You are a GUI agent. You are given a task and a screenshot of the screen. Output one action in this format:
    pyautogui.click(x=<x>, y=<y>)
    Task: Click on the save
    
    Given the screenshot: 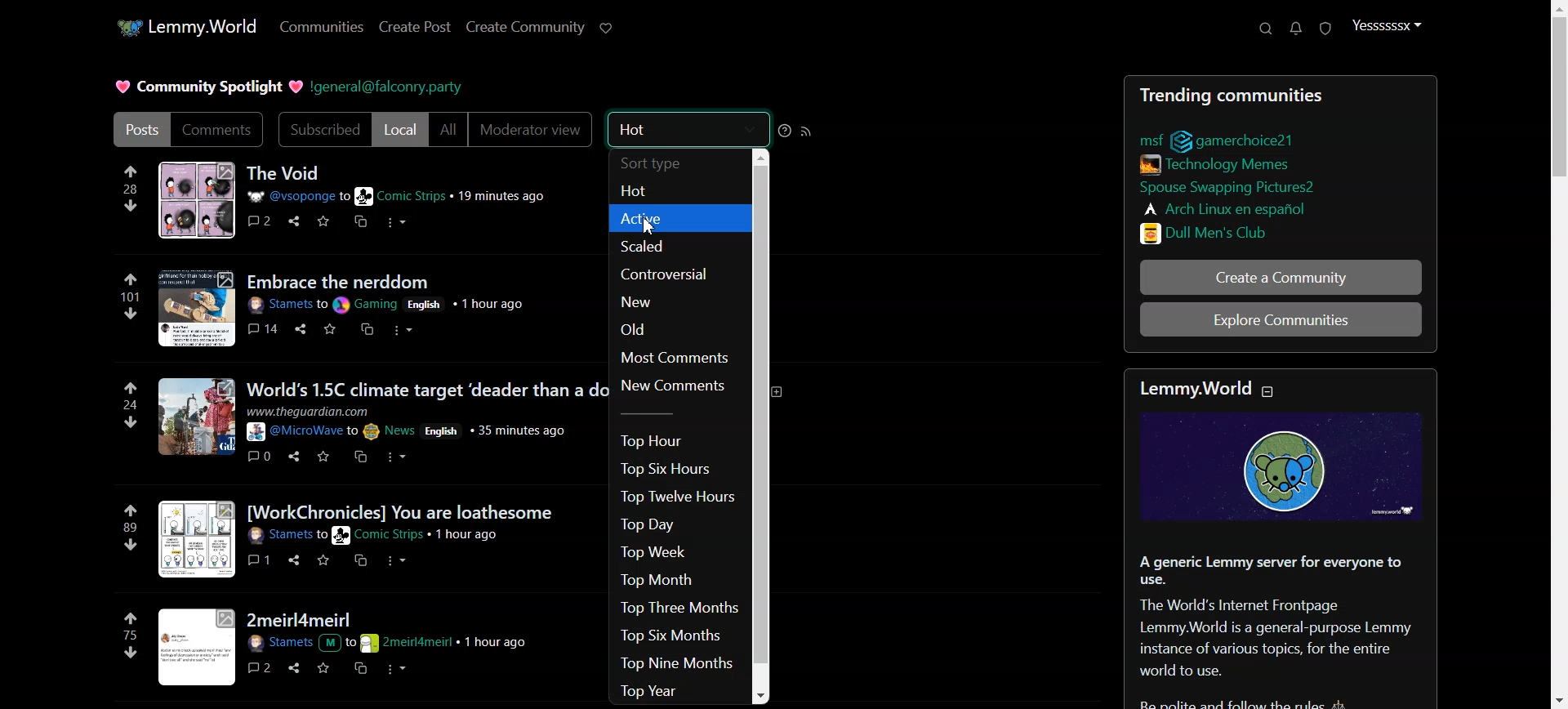 What is the action you would take?
    pyautogui.click(x=318, y=220)
    